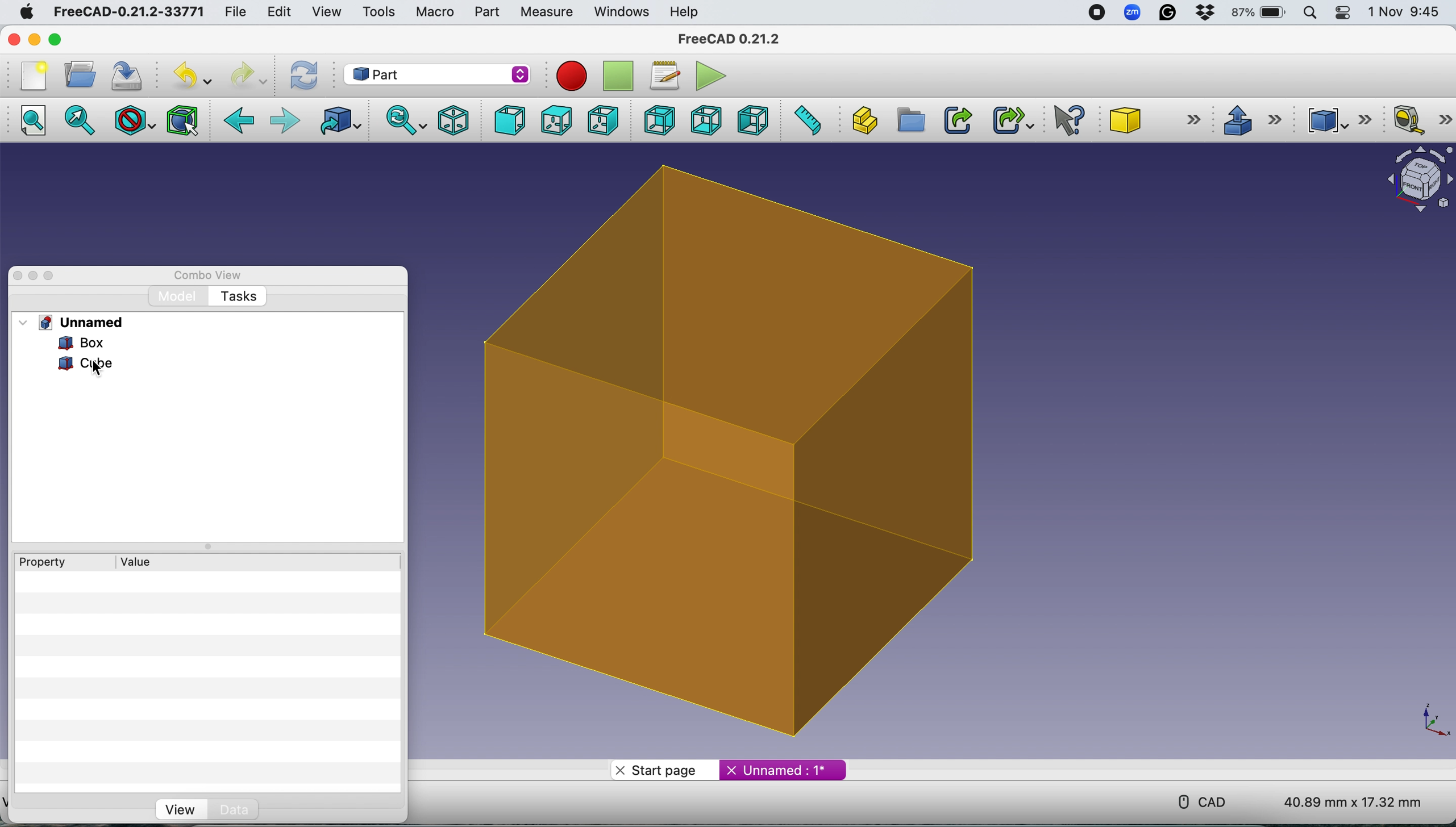  Describe the element at coordinates (307, 75) in the screenshot. I see `Refresh` at that location.